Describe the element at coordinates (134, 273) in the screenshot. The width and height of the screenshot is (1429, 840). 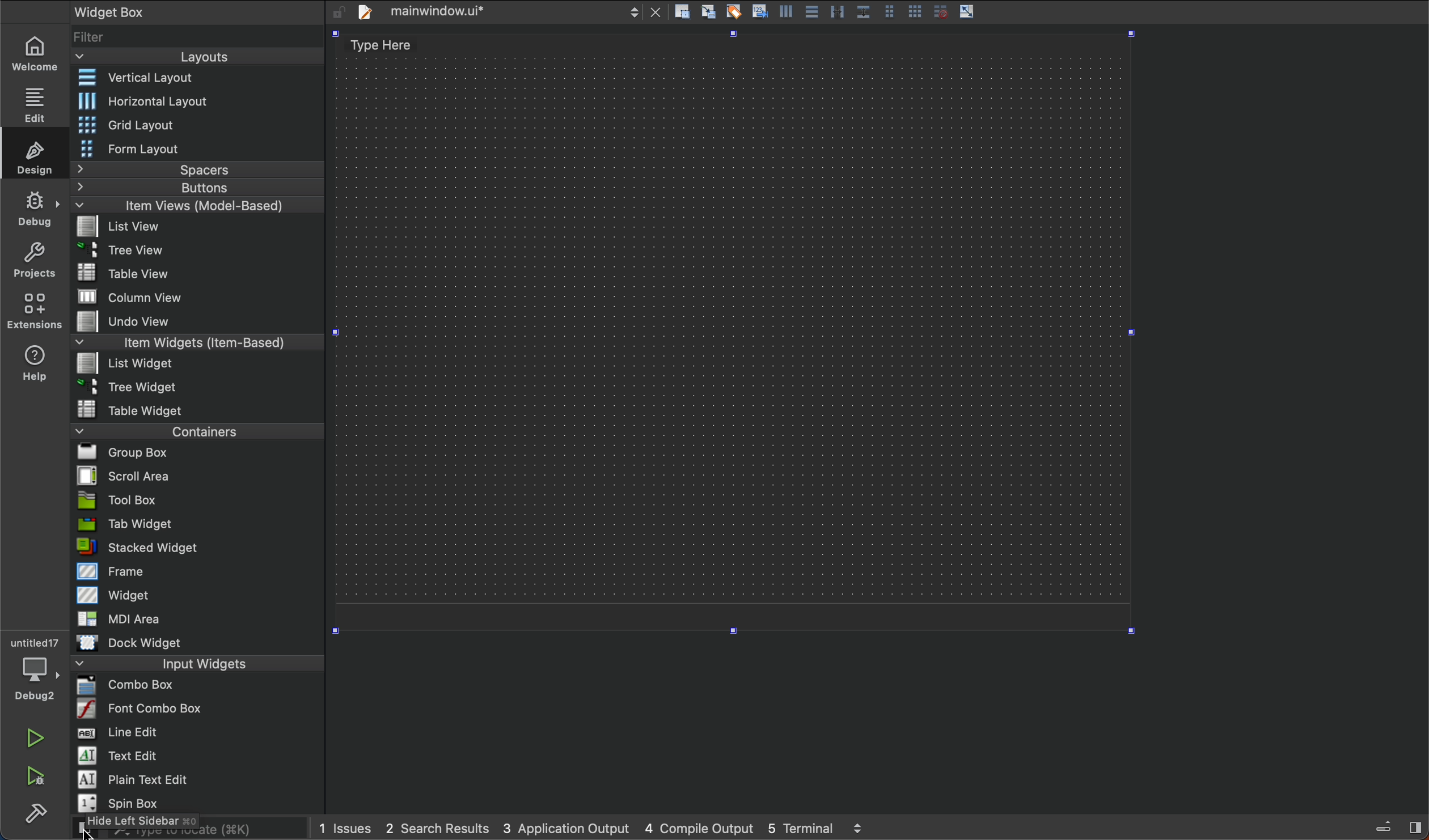
I see `table view` at that location.